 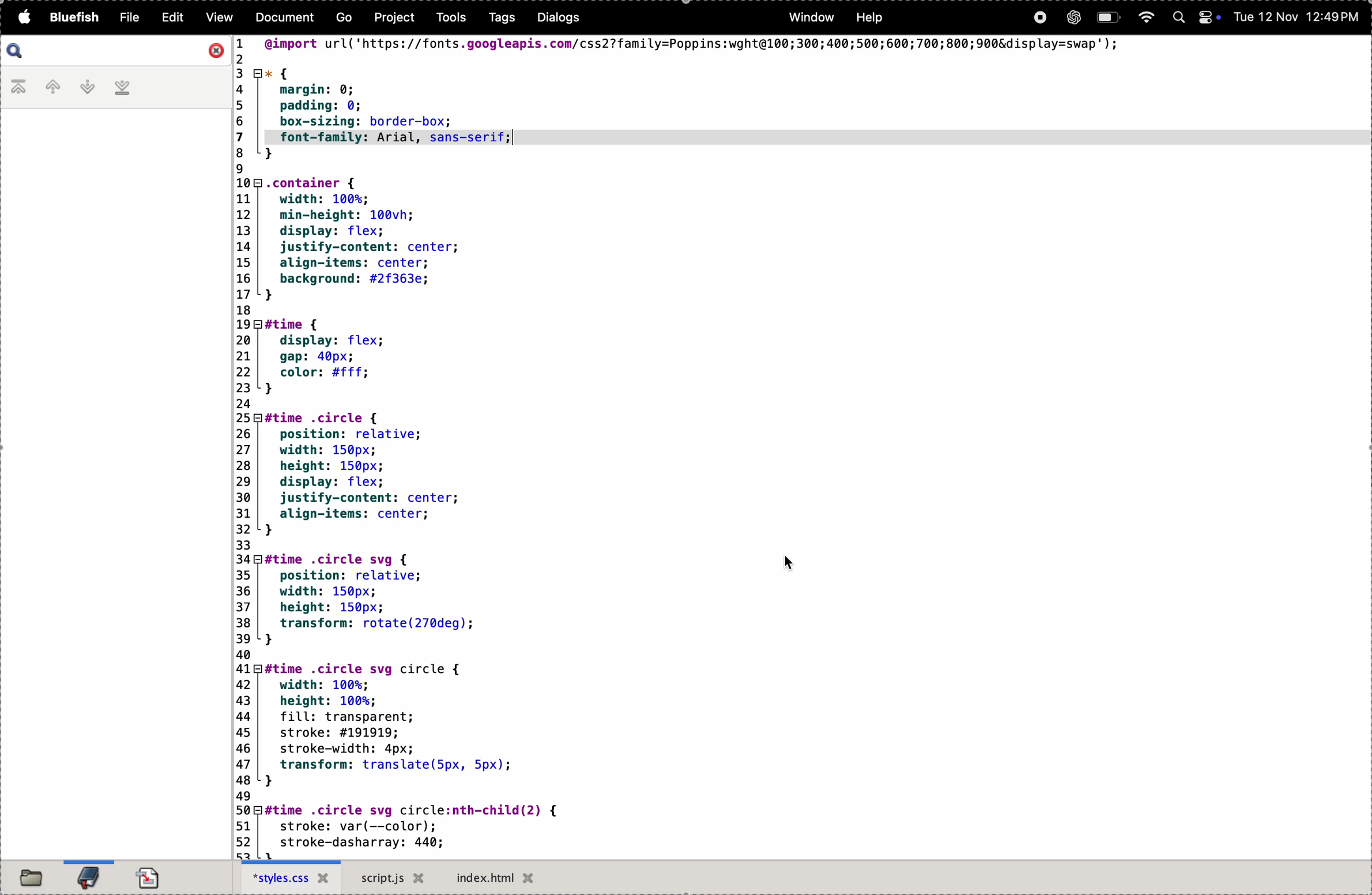 What do you see at coordinates (1146, 18) in the screenshot?
I see `wifi` at bounding box center [1146, 18].